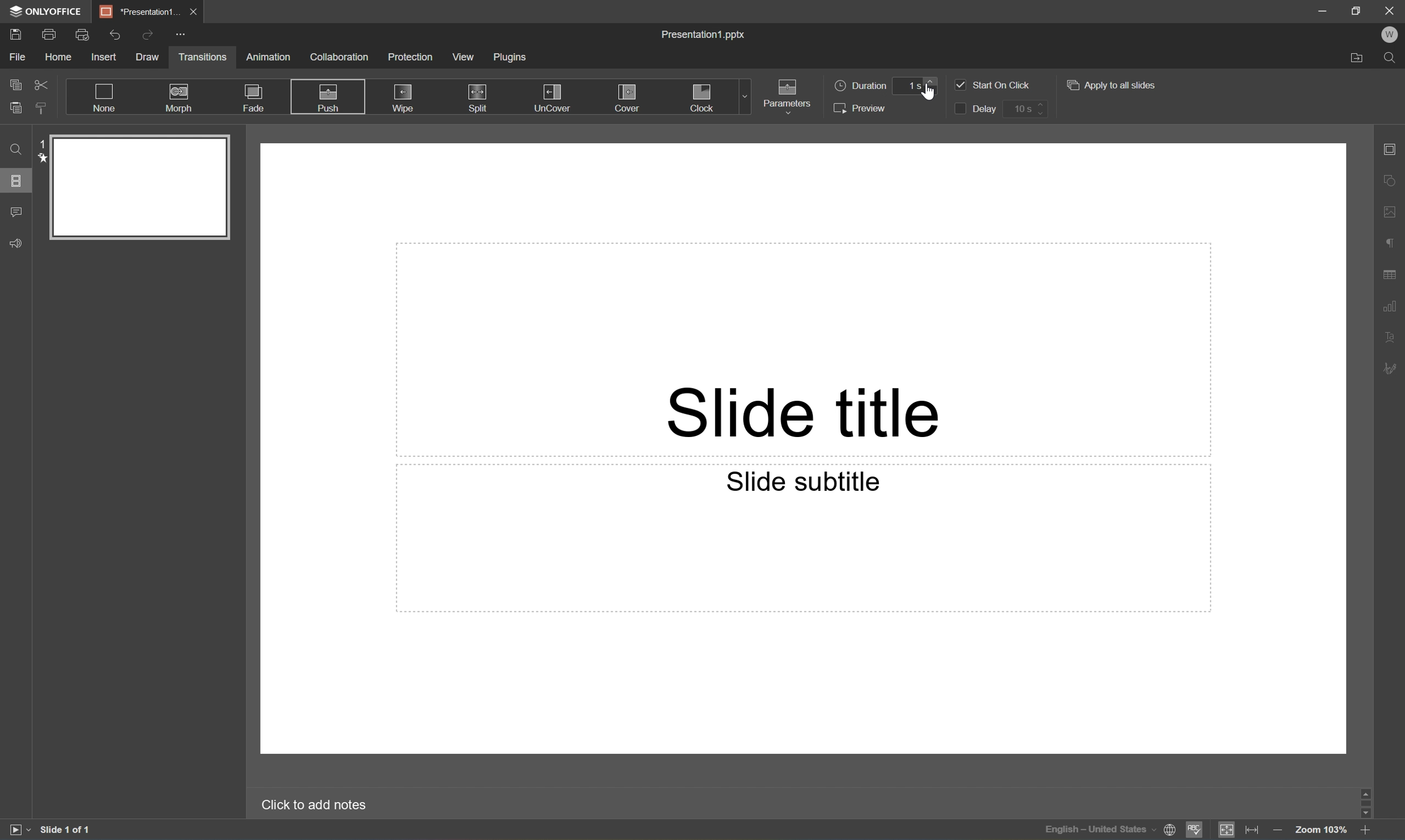 Image resolution: width=1405 pixels, height=840 pixels. Describe the element at coordinates (18, 182) in the screenshot. I see `Slides` at that location.